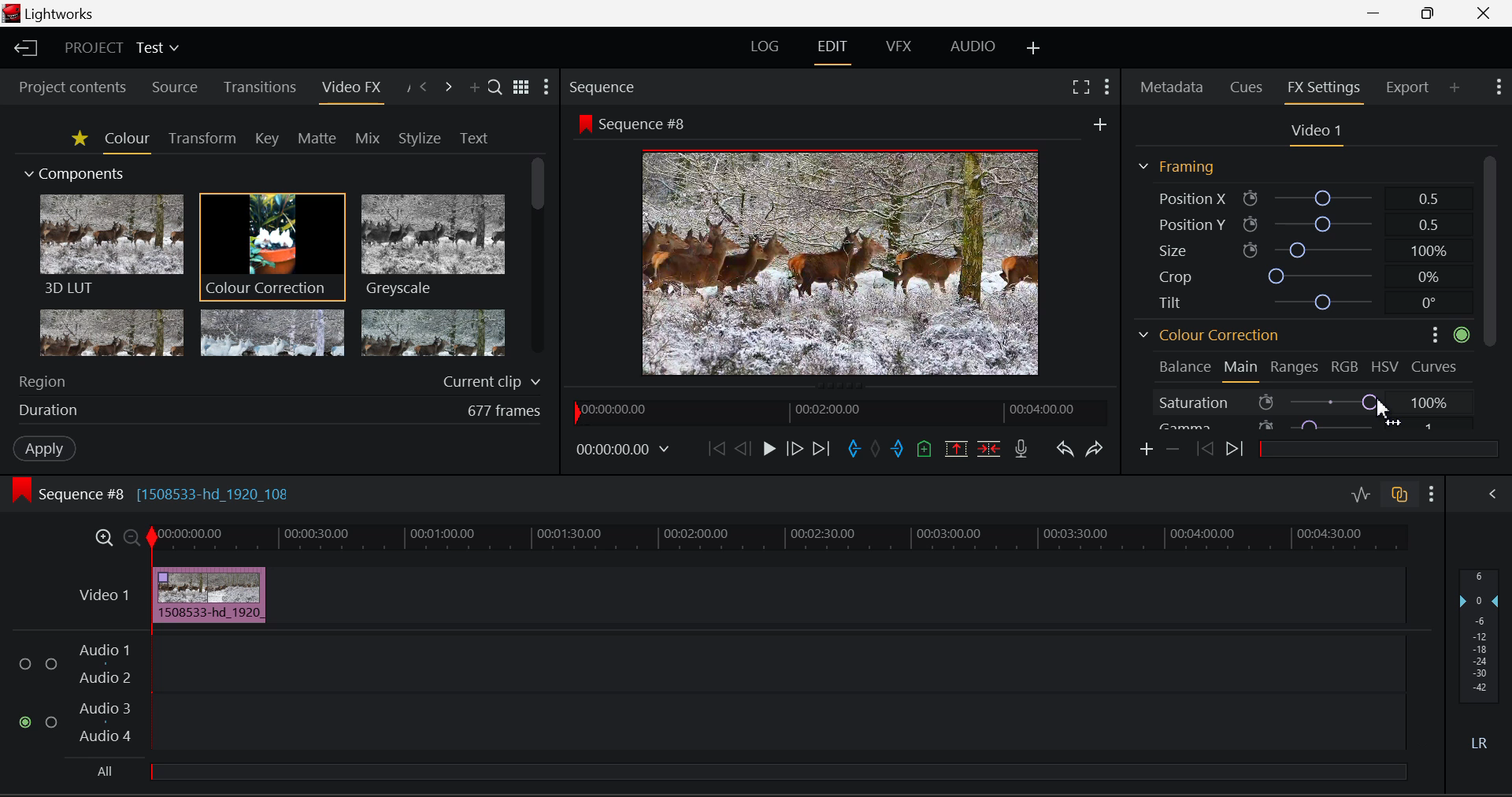 Image resolution: width=1512 pixels, height=797 pixels. Describe the element at coordinates (113, 332) in the screenshot. I see `Glow` at that location.